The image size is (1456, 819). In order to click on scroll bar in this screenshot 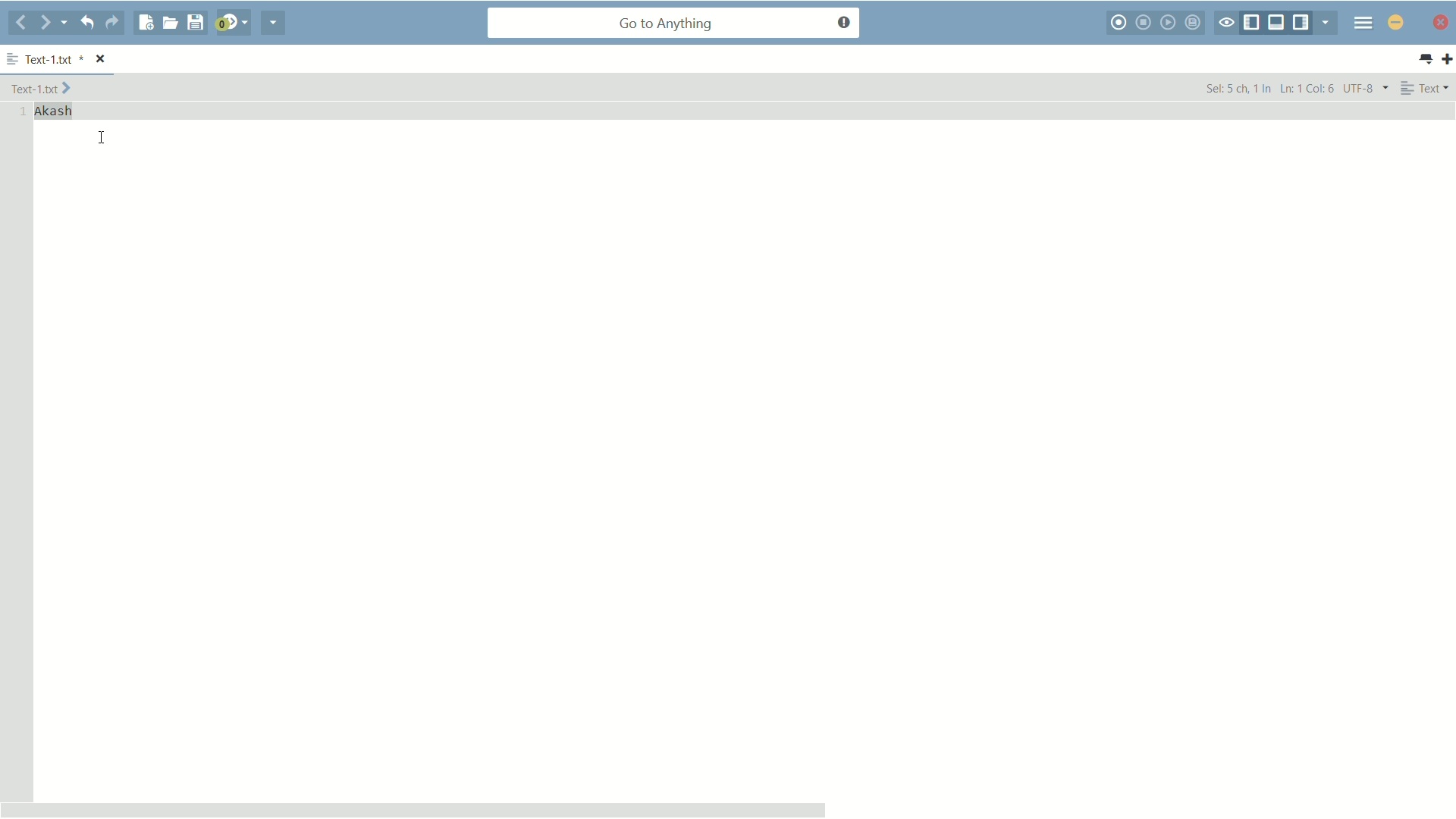, I will do `click(414, 809)`.